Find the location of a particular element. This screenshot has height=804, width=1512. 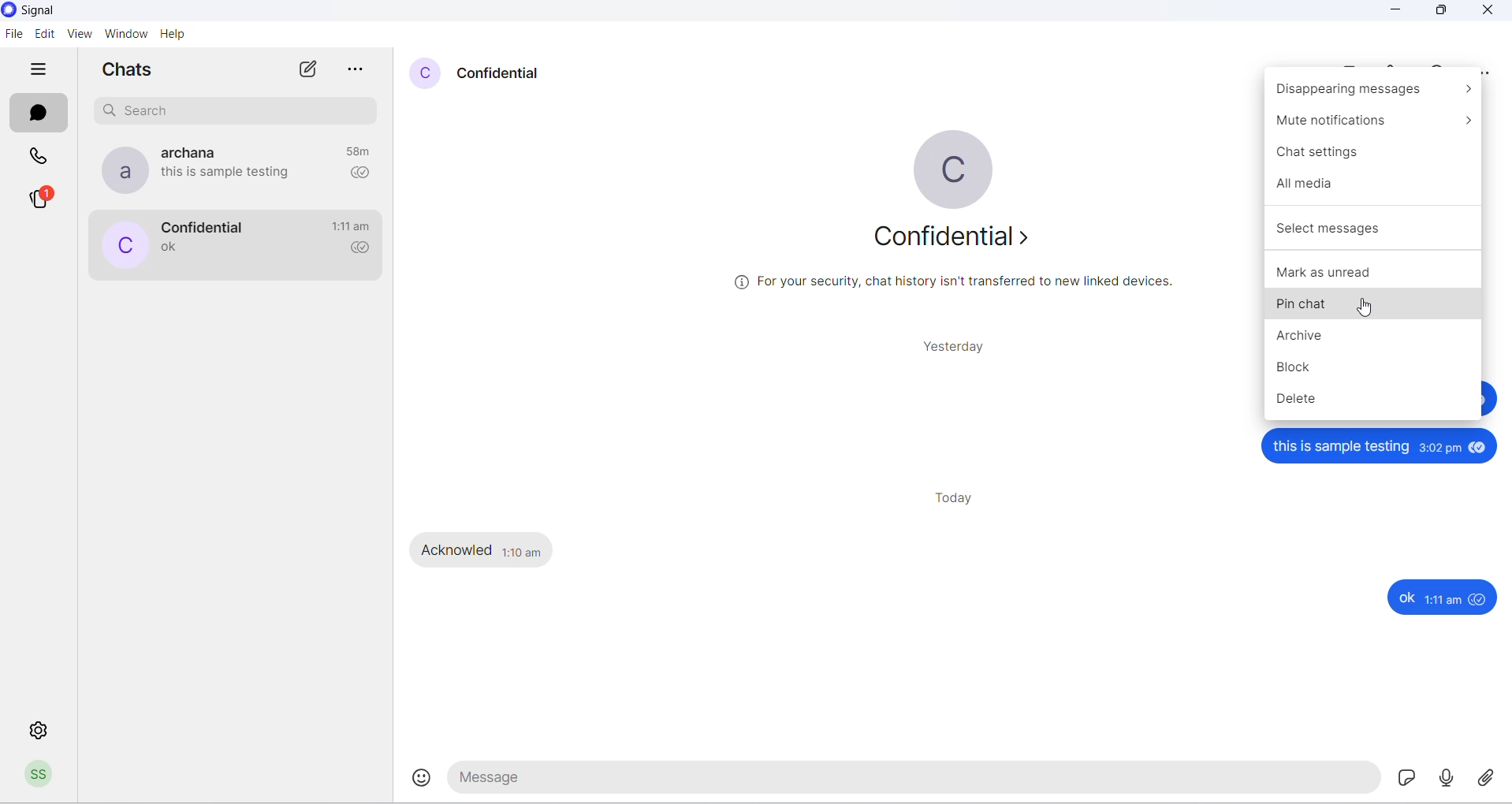

hide is located at coordinates (41, 70).